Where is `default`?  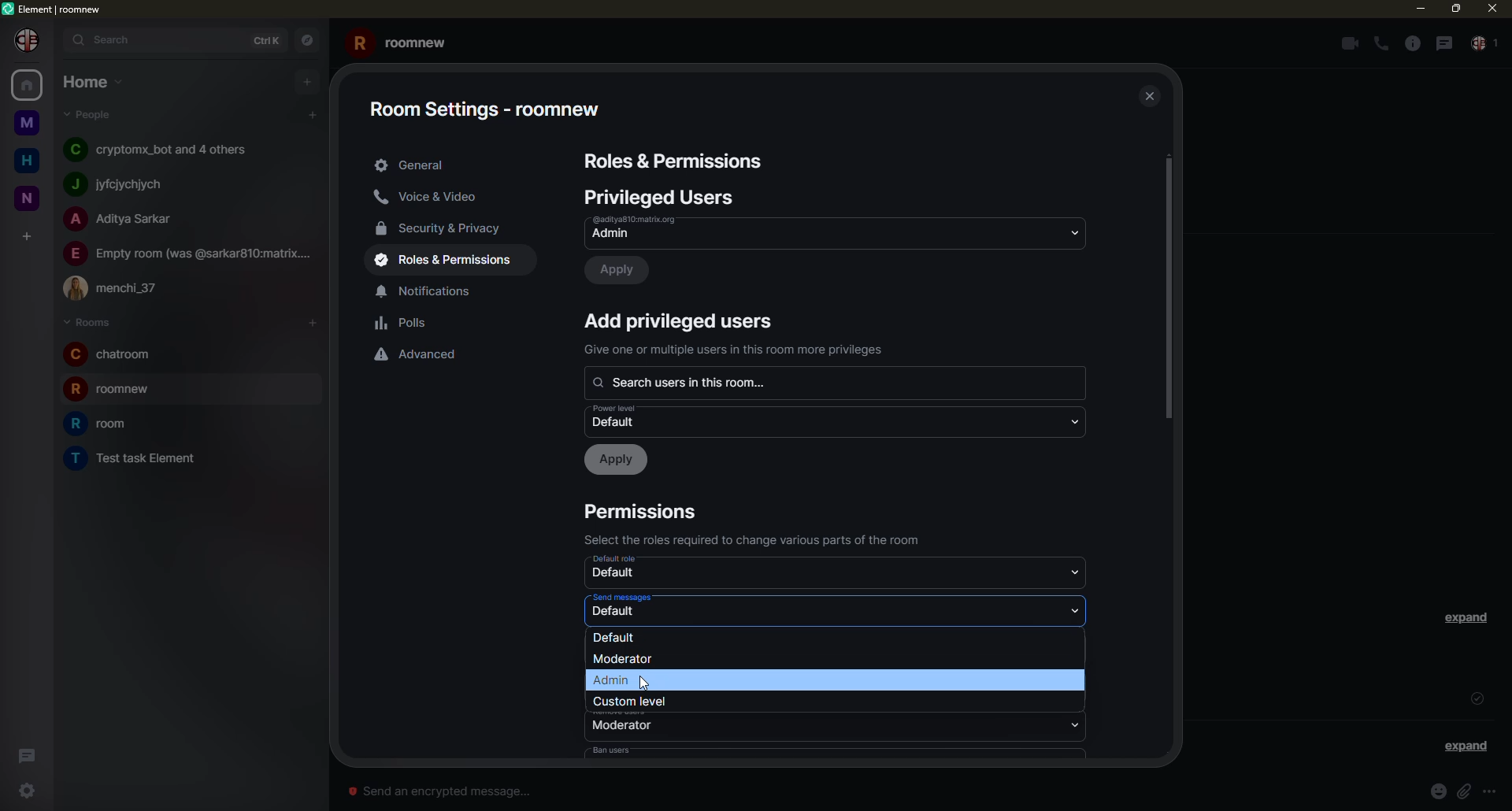 default is located at coordinates (617, 613).